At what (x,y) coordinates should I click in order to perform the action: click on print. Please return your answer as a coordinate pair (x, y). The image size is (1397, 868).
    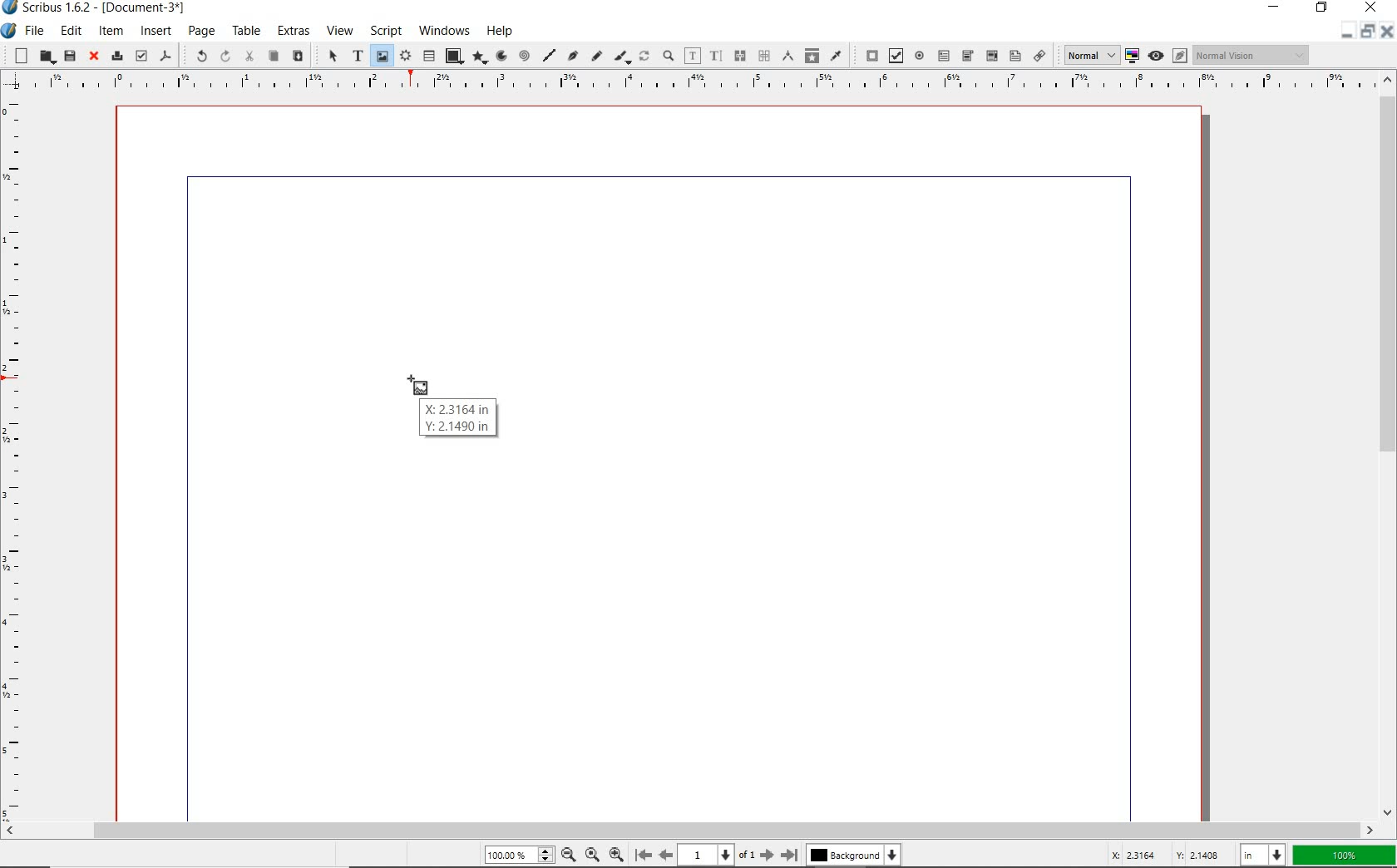
    Looking at the image, I should click on (118, 56).